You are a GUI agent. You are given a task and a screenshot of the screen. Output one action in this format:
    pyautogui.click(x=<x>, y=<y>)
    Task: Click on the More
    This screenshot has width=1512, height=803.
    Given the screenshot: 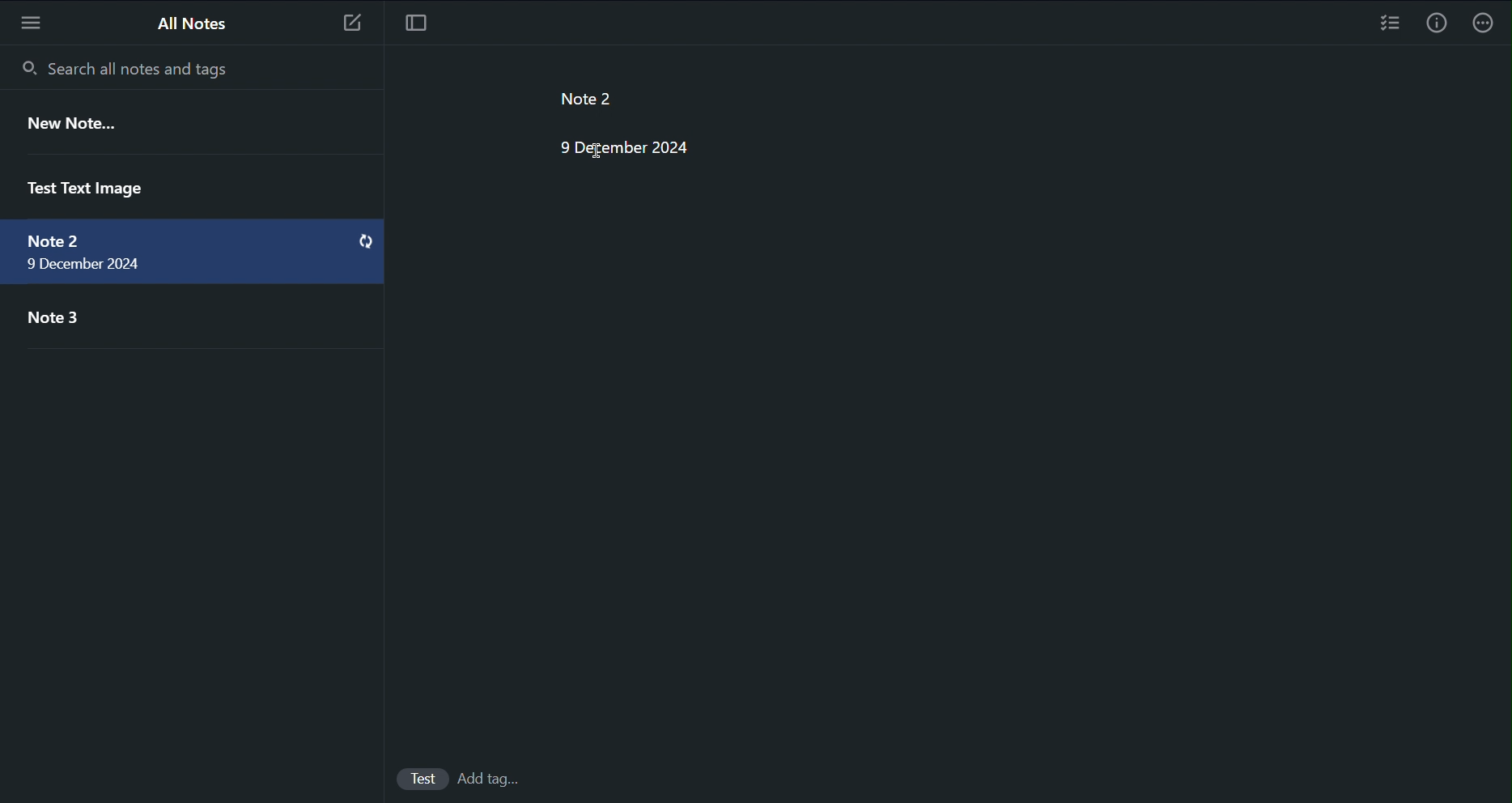 What is the action you would take?
    pyautogui.click(x=29, y=19)
    